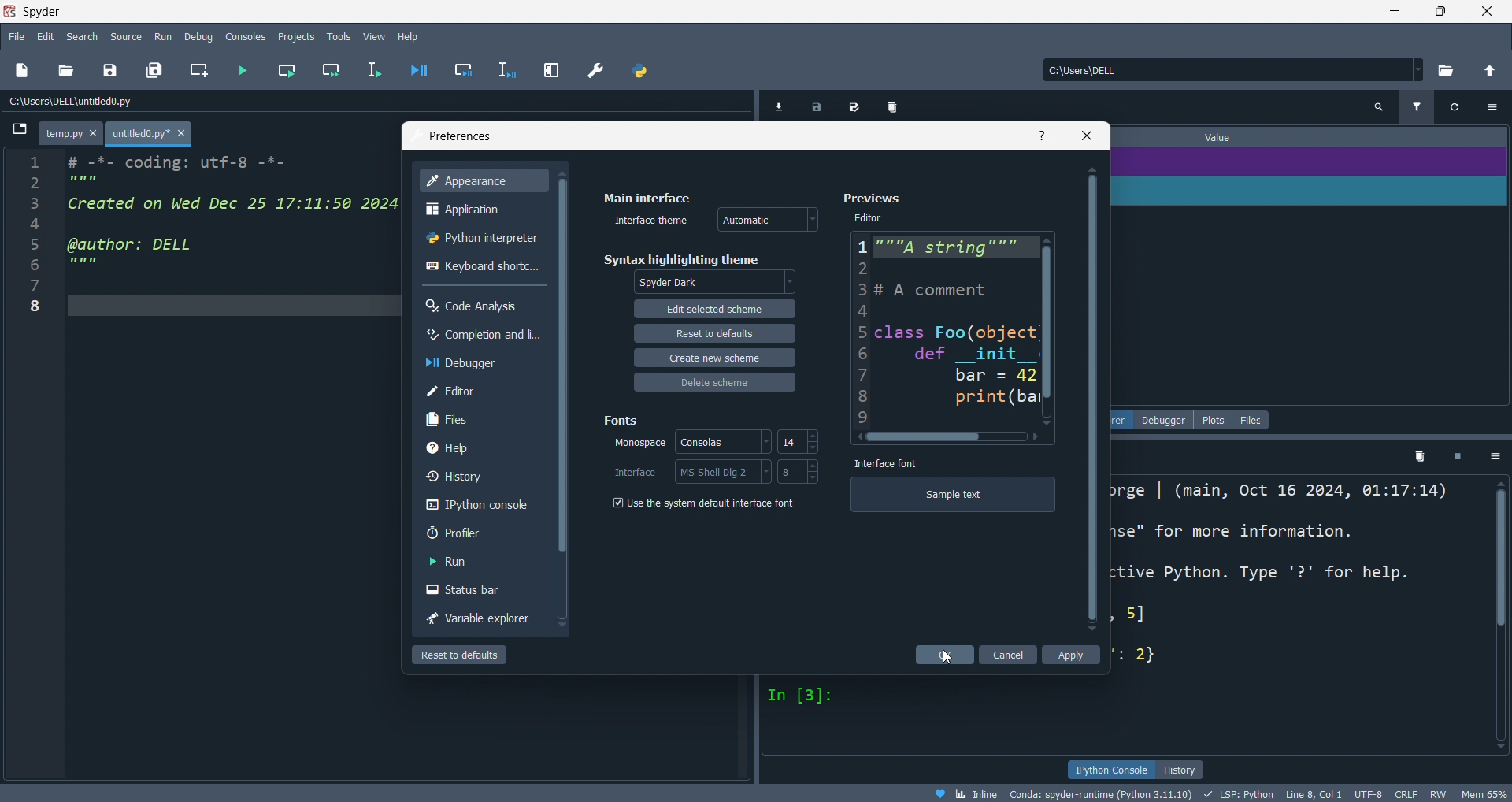 This screenshot has height=802, width=1512. Describe the element at coordinates (296, 36) in the screenshot. I see `projects` at that location.